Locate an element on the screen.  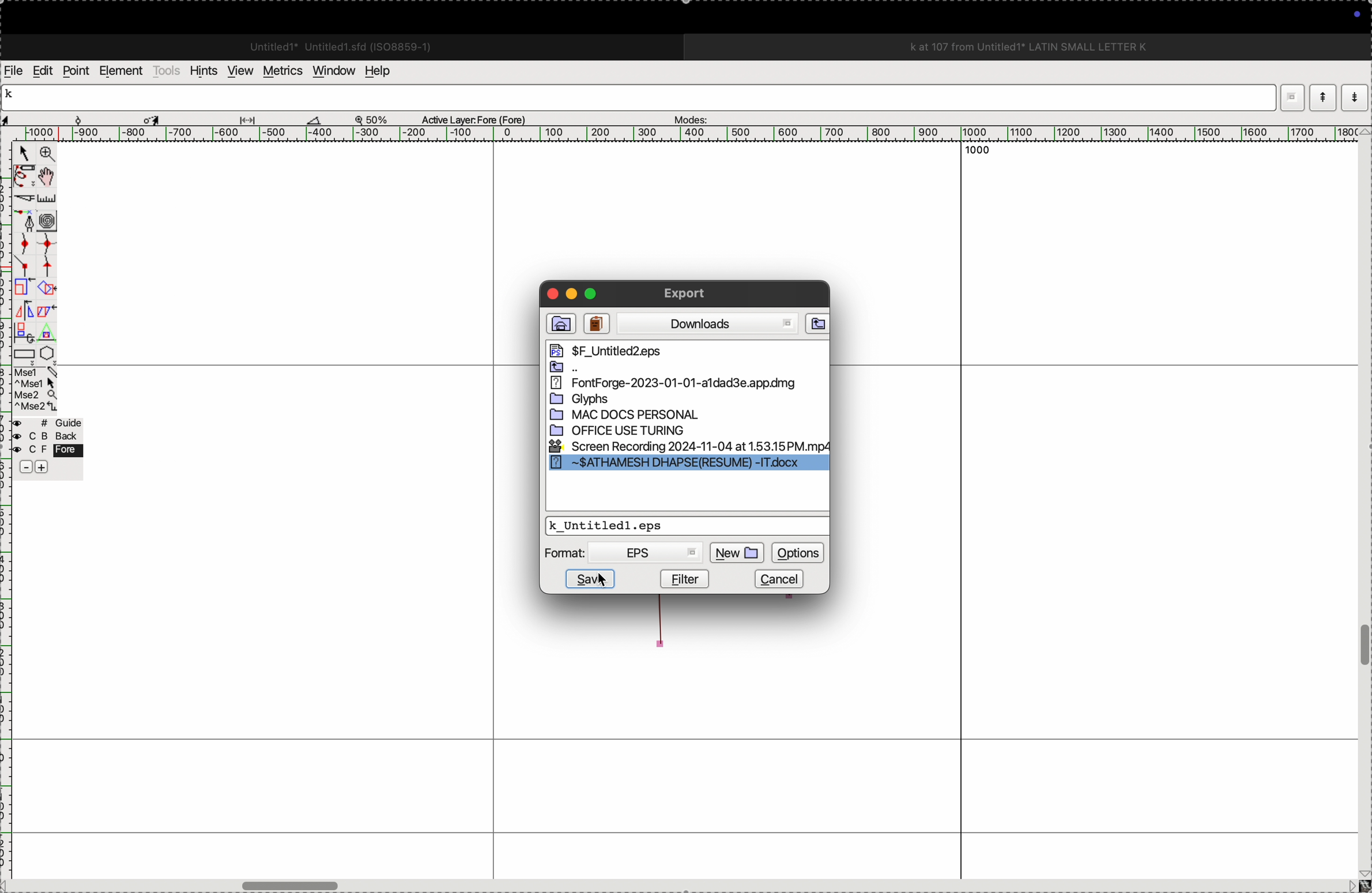
cursor is located at coordinates (154, 118).